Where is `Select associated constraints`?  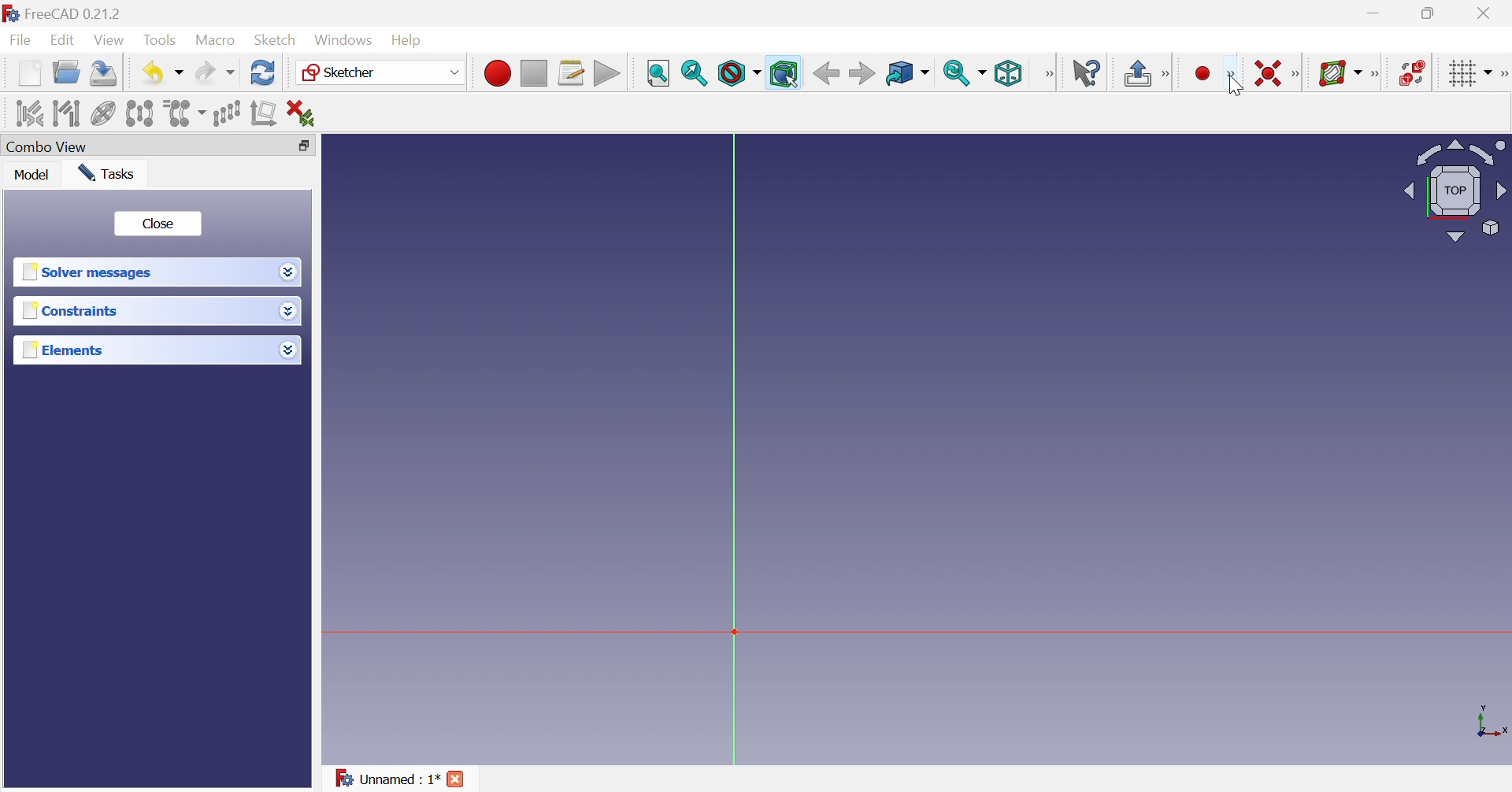
Select associated constraints is located at coordinates (30, 113).